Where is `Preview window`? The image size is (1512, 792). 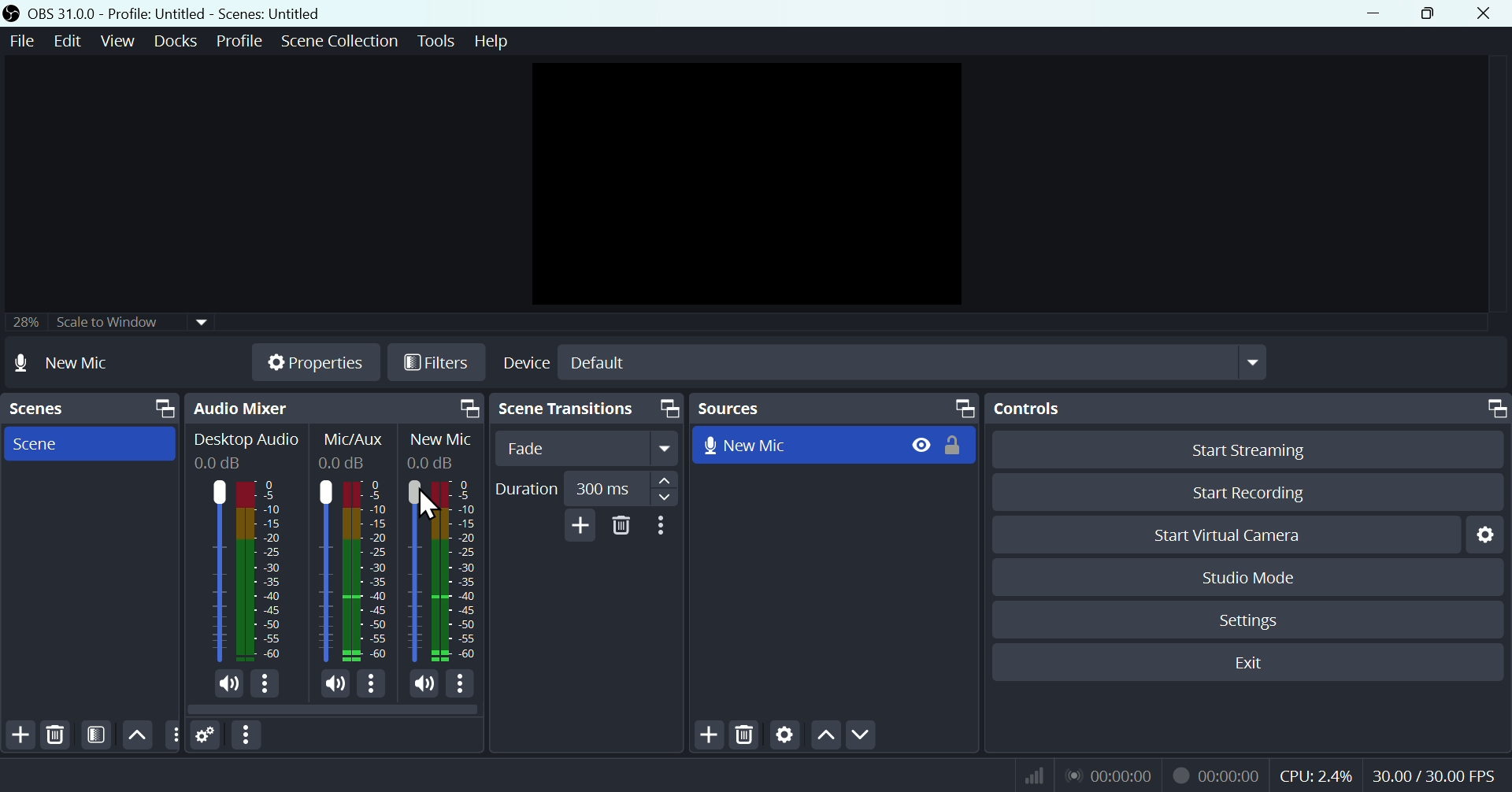
Preview window is located at coordinates (751, 184).